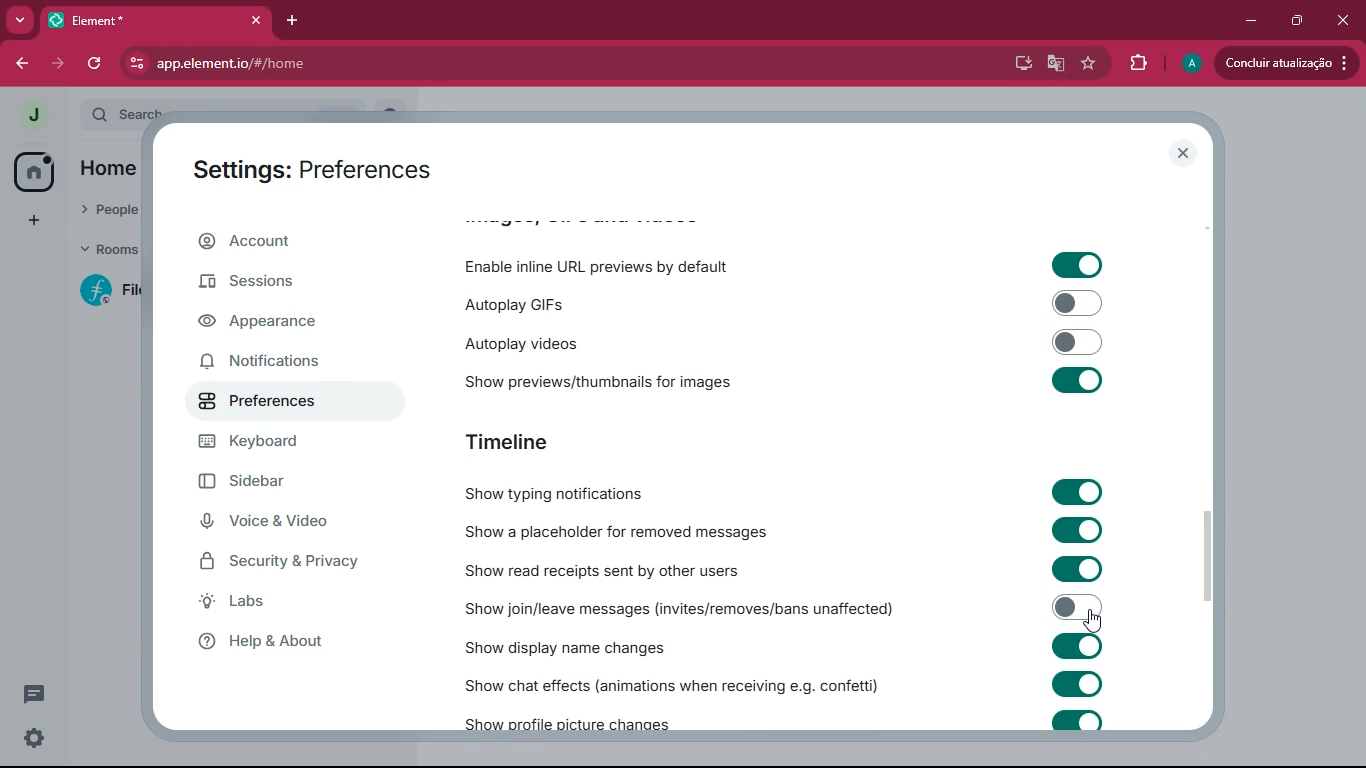 This screenshot has width=1366, height=768. What do you see at coordinates (1138, 64) in the screenshot?
I see `extensions` at bounding box center [1138, 64].